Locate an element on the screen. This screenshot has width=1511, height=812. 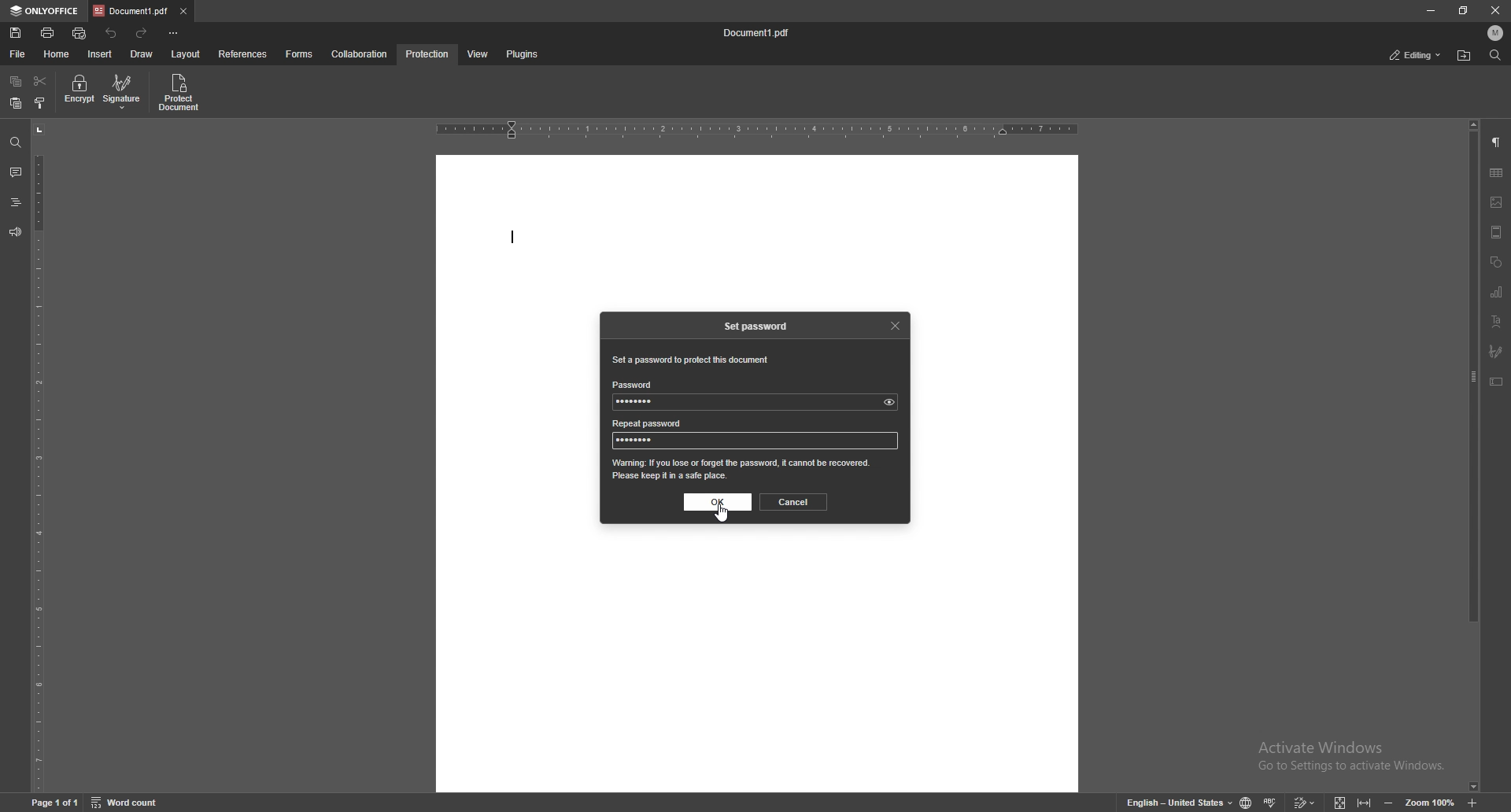
redo is located at coordinates (144, 34).